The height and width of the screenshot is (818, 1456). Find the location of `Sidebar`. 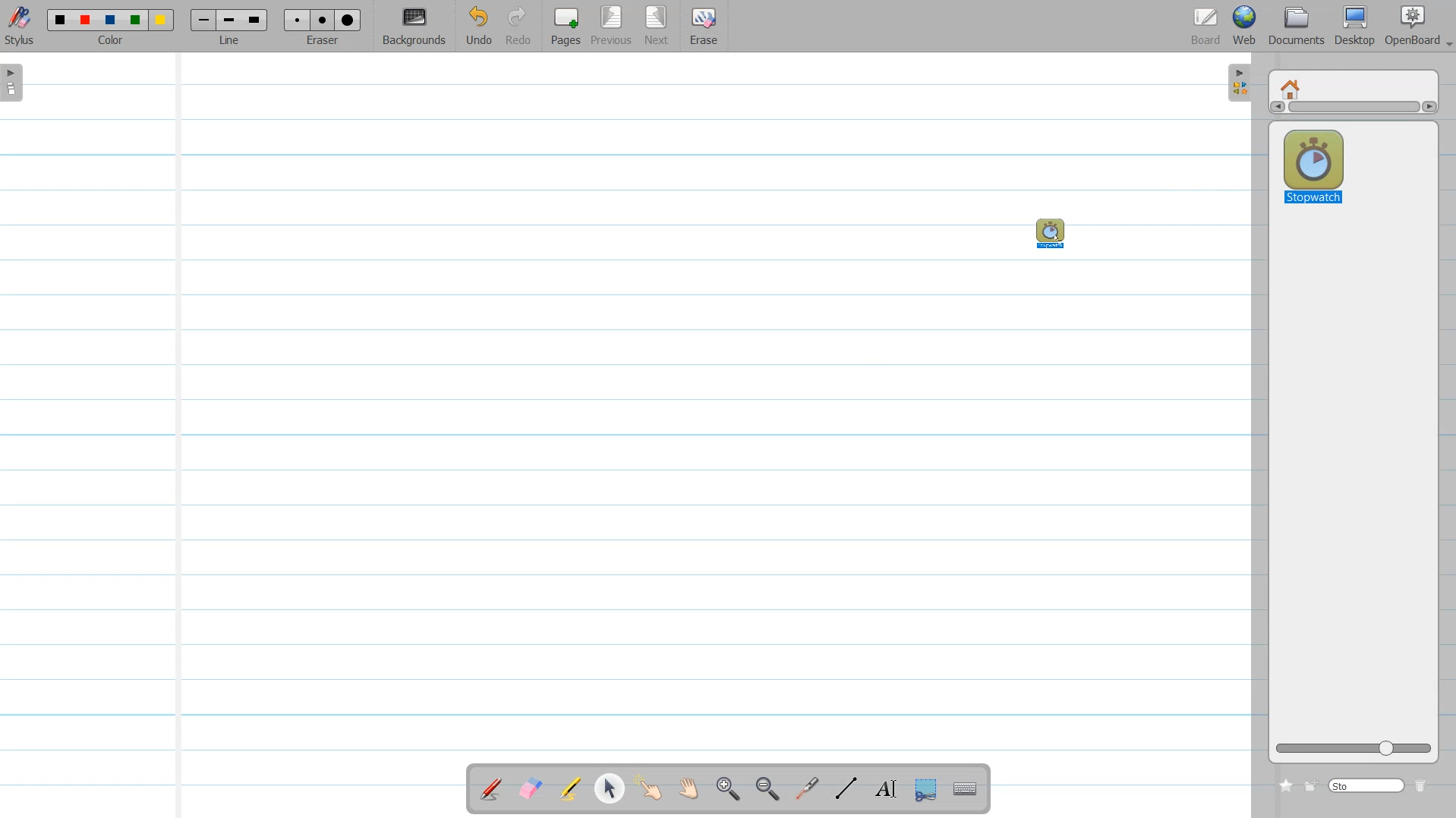

Sidebar is located at coordinates (1237, 83).